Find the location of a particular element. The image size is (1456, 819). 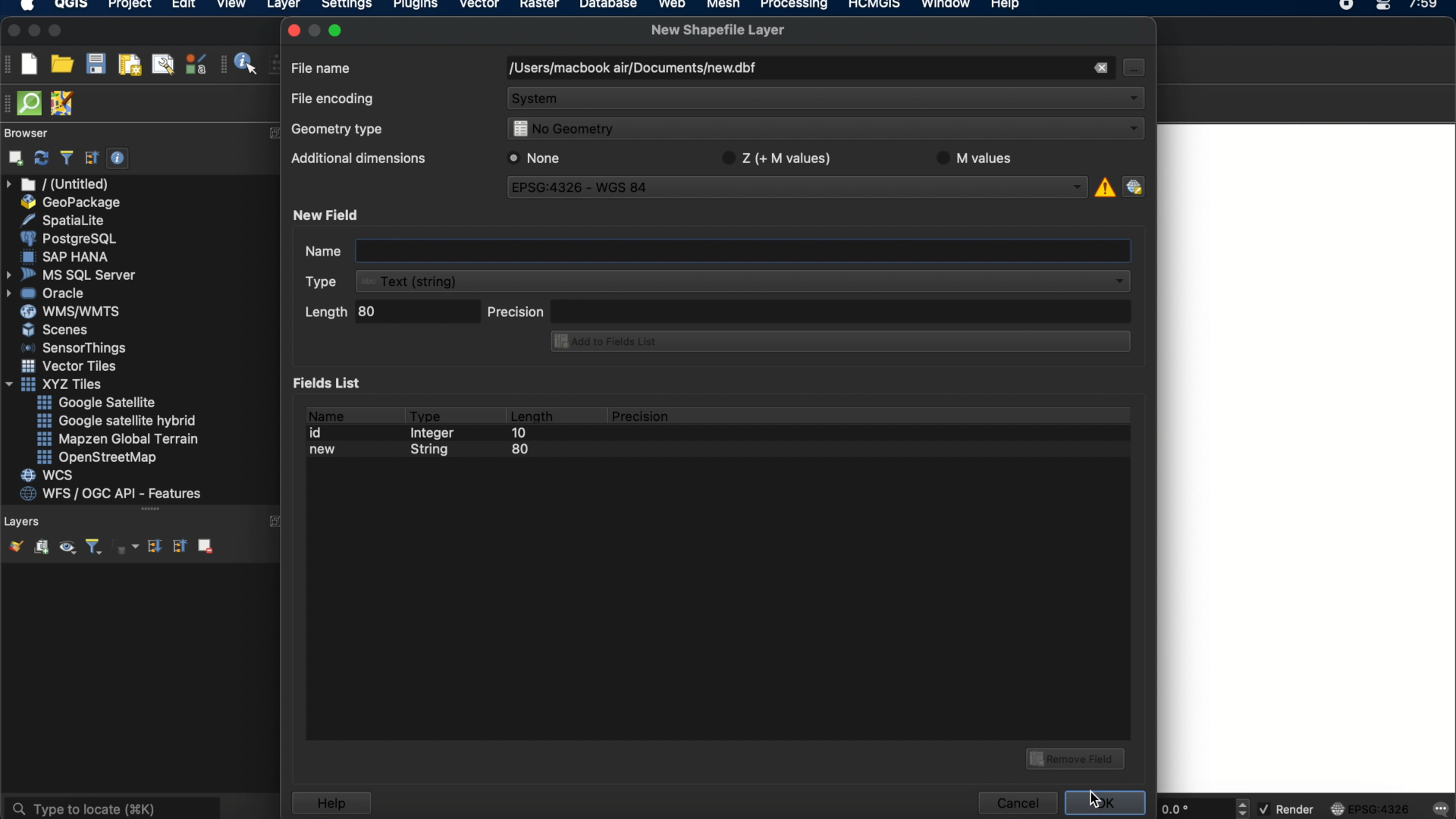

text dropdown menu is located at coordinates (720, 281).